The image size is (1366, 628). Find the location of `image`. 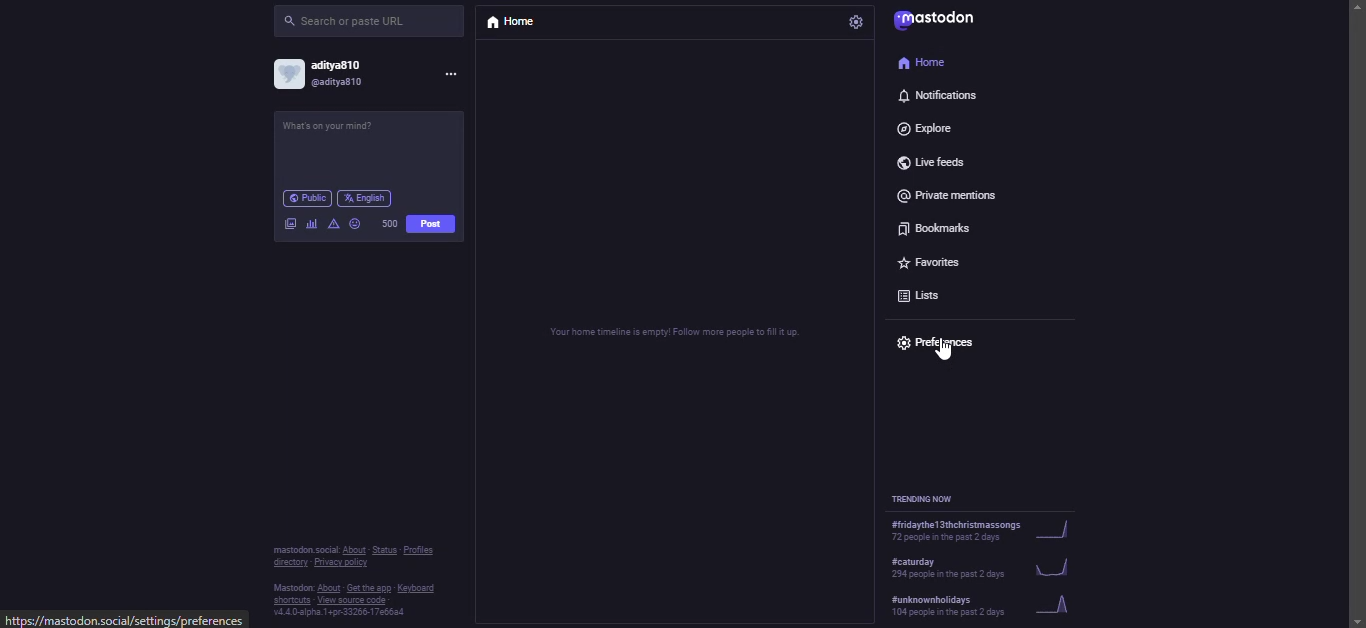

image is located at coordinates (290, 220).